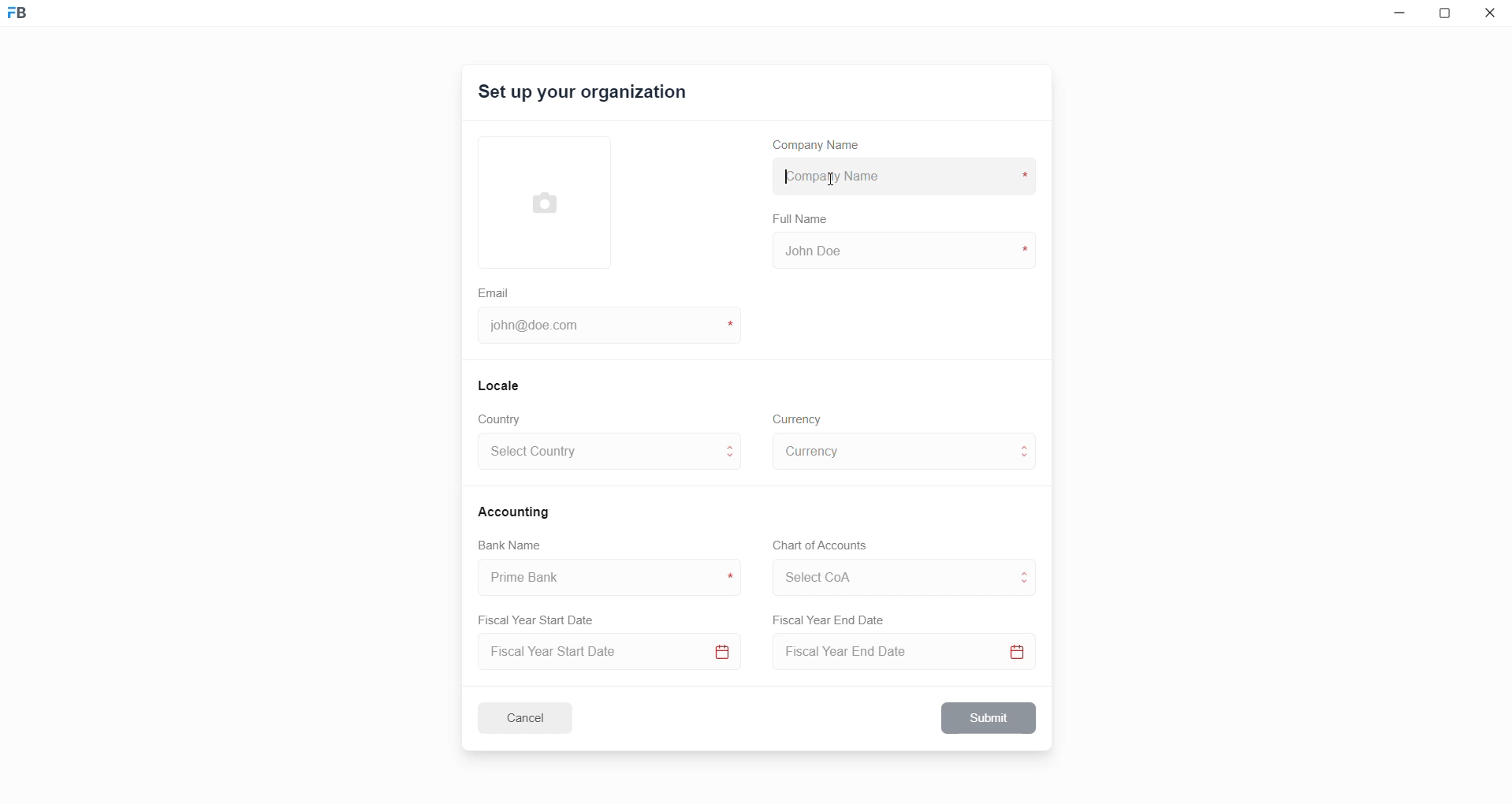  Describe the element at coordinates (990, 718) in the screenshot. I see `Submit ` at that location.